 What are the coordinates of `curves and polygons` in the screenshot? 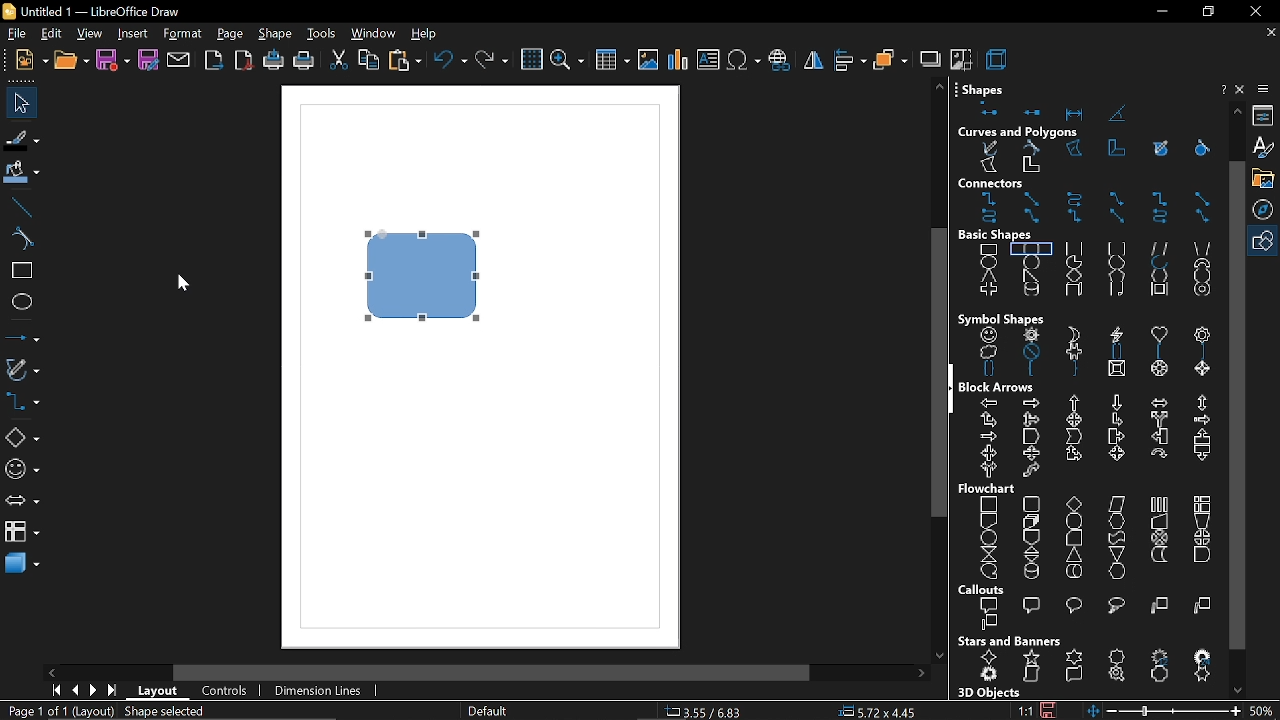 It's located at (1019, 133).